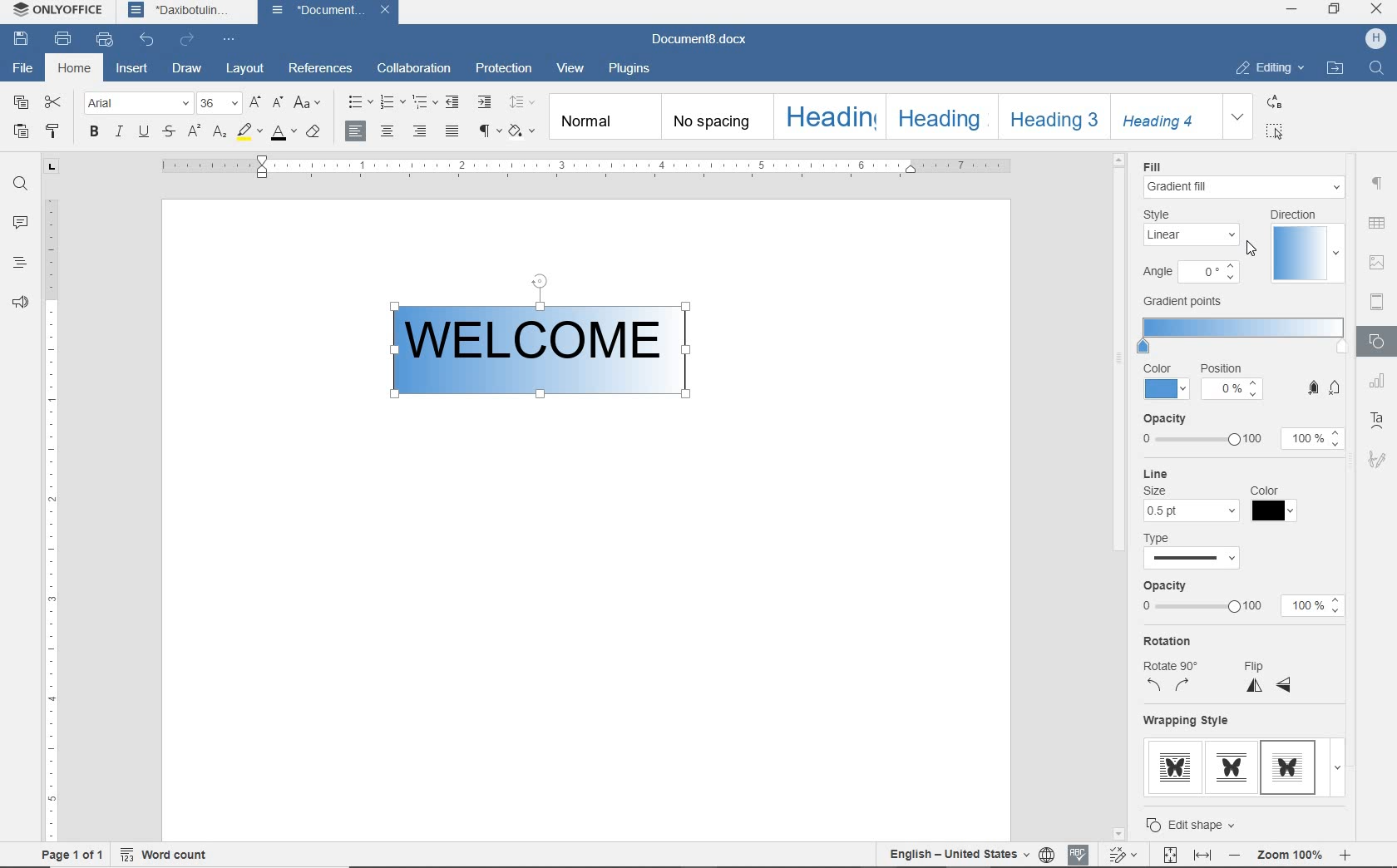 The width and height of the screenshot is (1397, 868). Describe the element at coordinates (1188, 718) in the screenshot. I see `Wrapping style` at that location.